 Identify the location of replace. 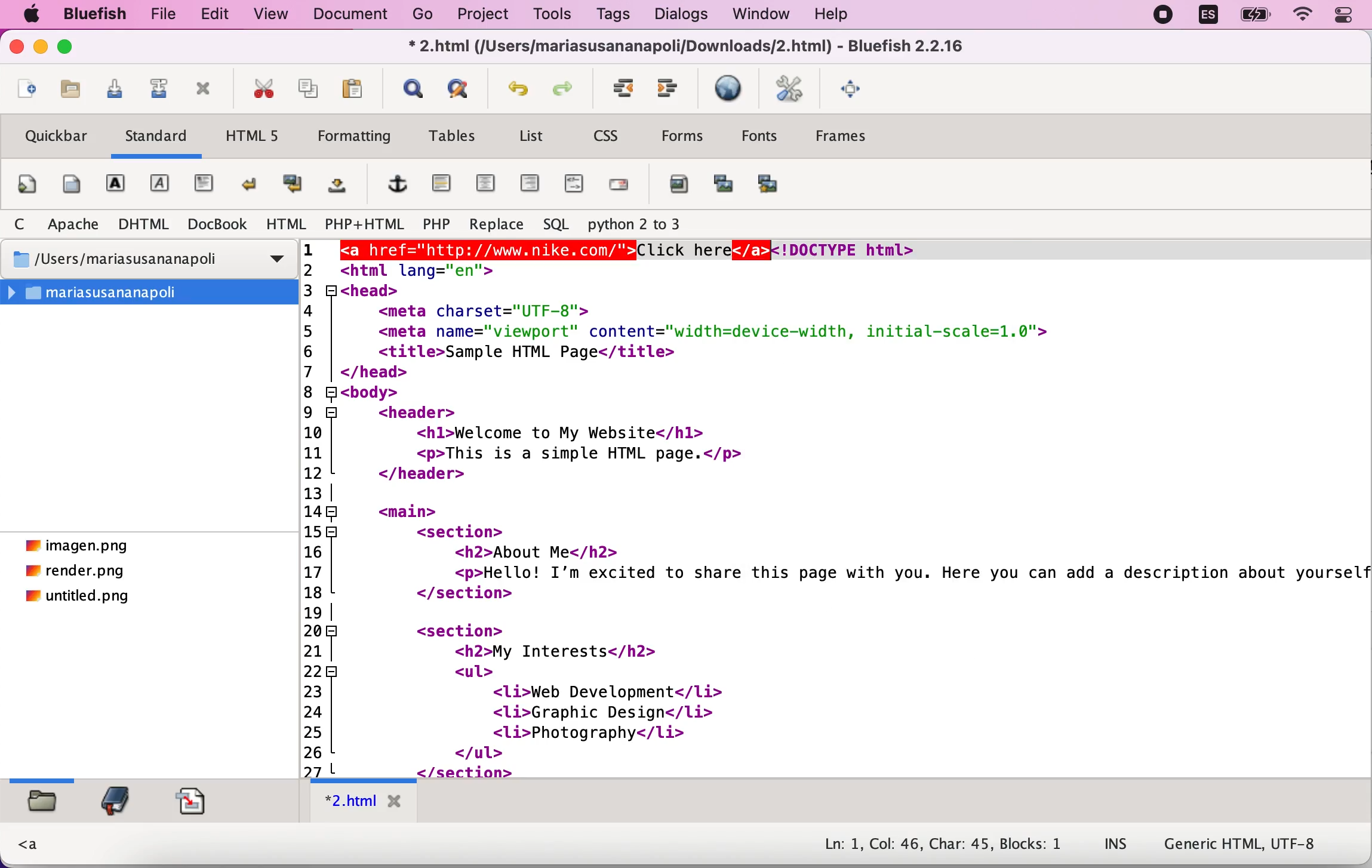
(494, 223).